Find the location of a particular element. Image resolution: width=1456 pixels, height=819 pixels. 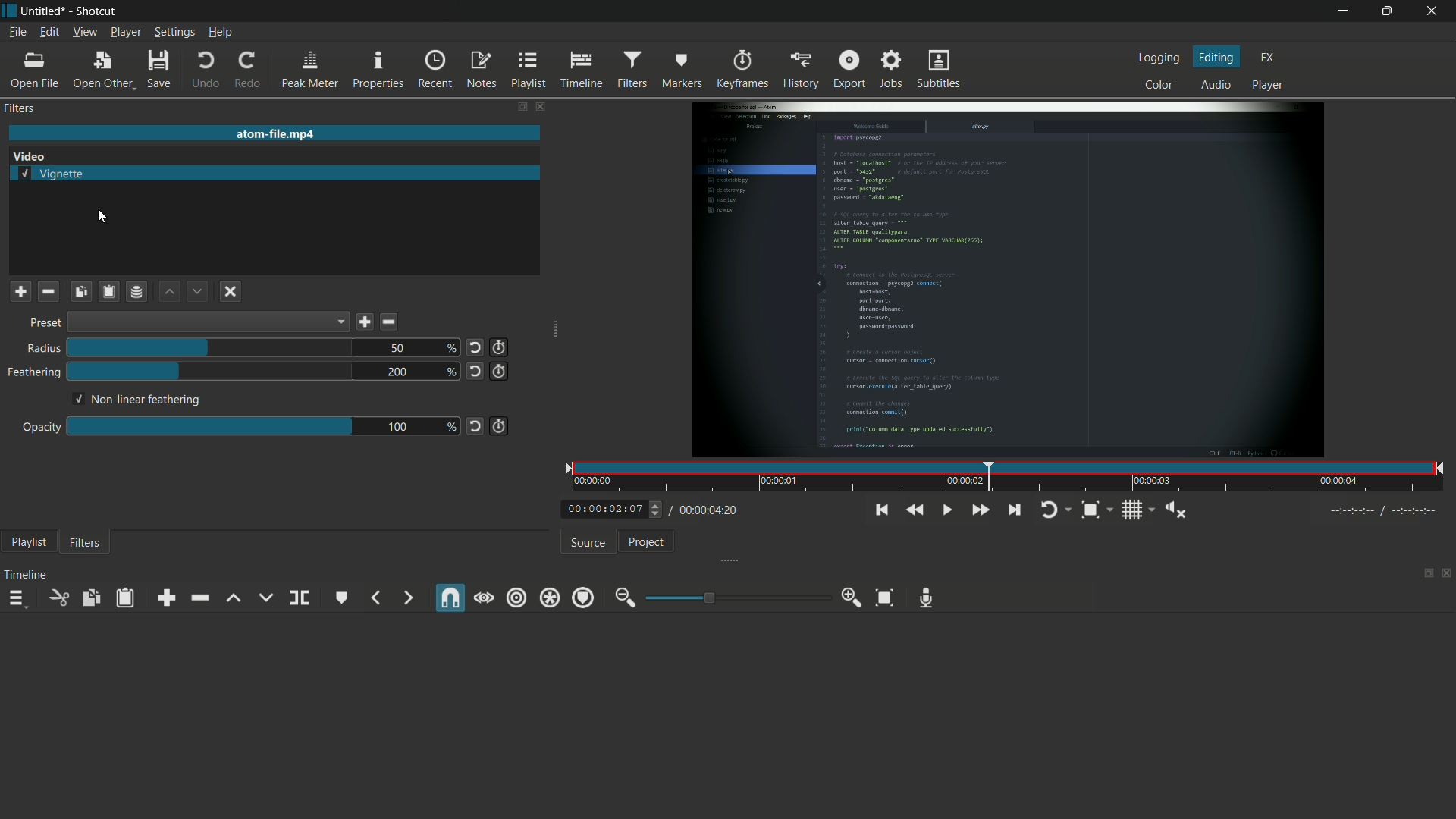

playlist is located at coordinates (529, 70).